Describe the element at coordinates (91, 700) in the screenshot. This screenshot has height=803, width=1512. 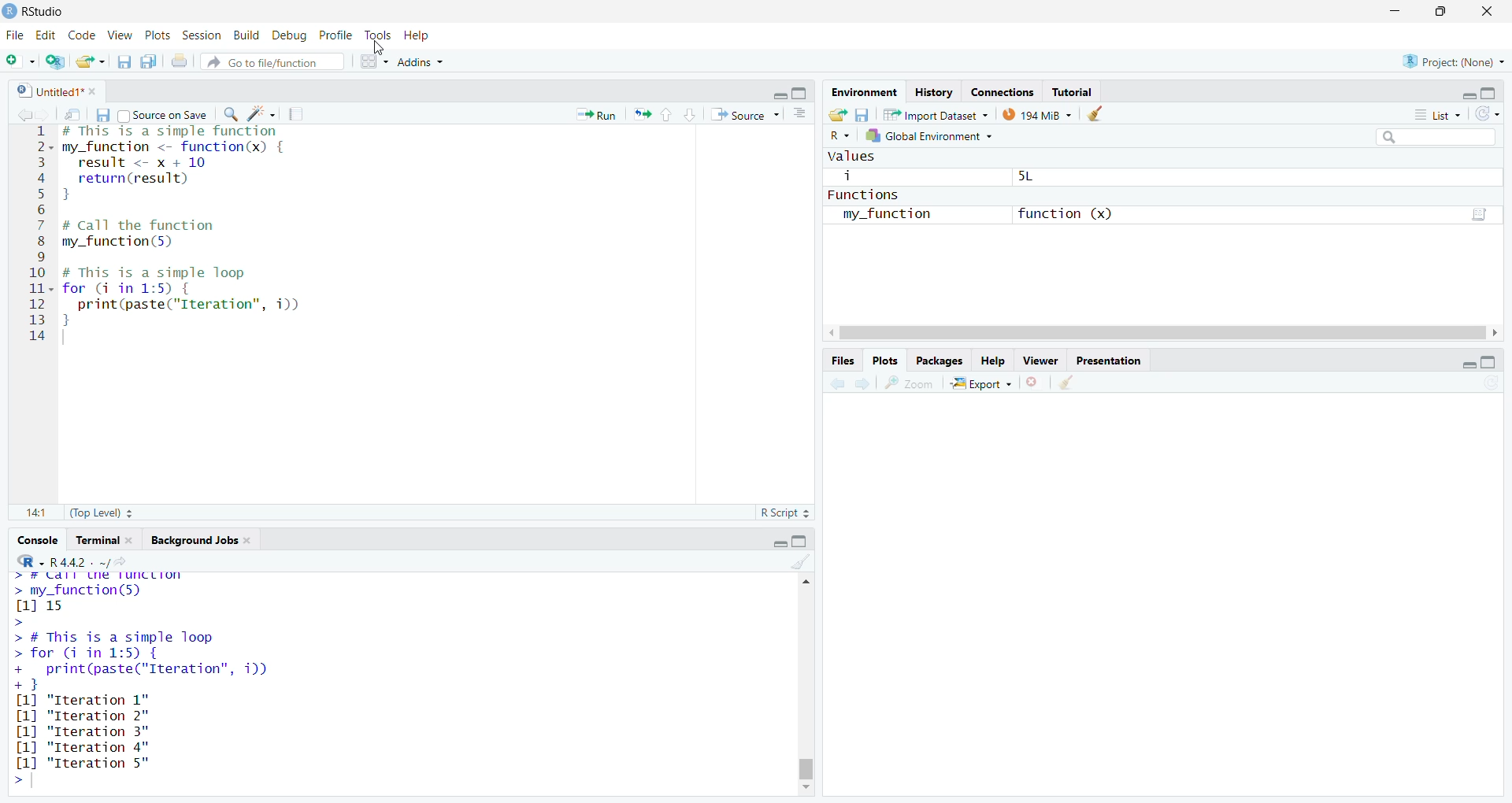
I see `[1] "Iteration 1"` at that location.